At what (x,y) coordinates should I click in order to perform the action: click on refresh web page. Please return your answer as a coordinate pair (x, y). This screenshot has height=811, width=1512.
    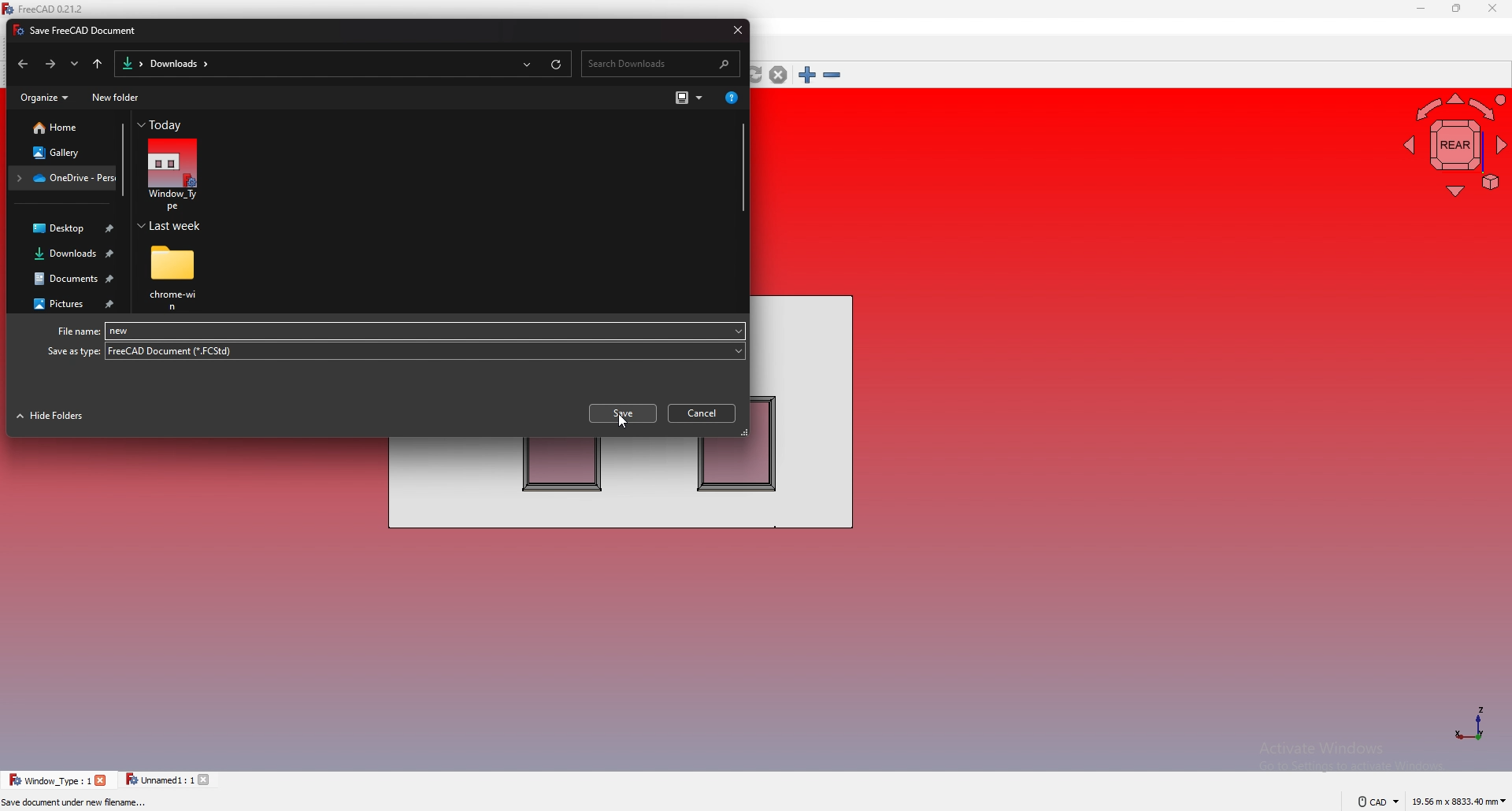
    Looking at the image, I should click on (755, 76).